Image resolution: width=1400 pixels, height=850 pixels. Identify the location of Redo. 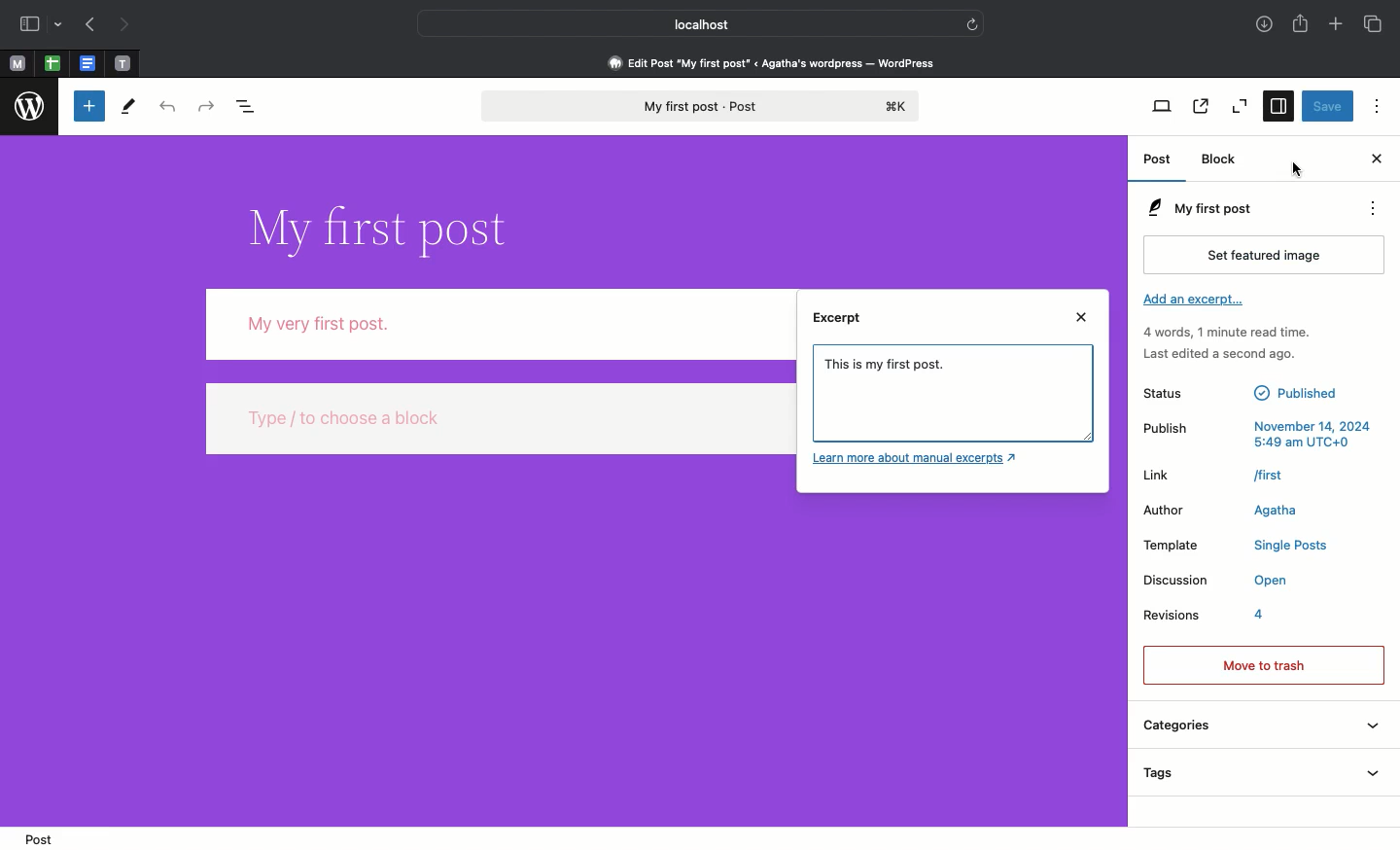
(206, 106).